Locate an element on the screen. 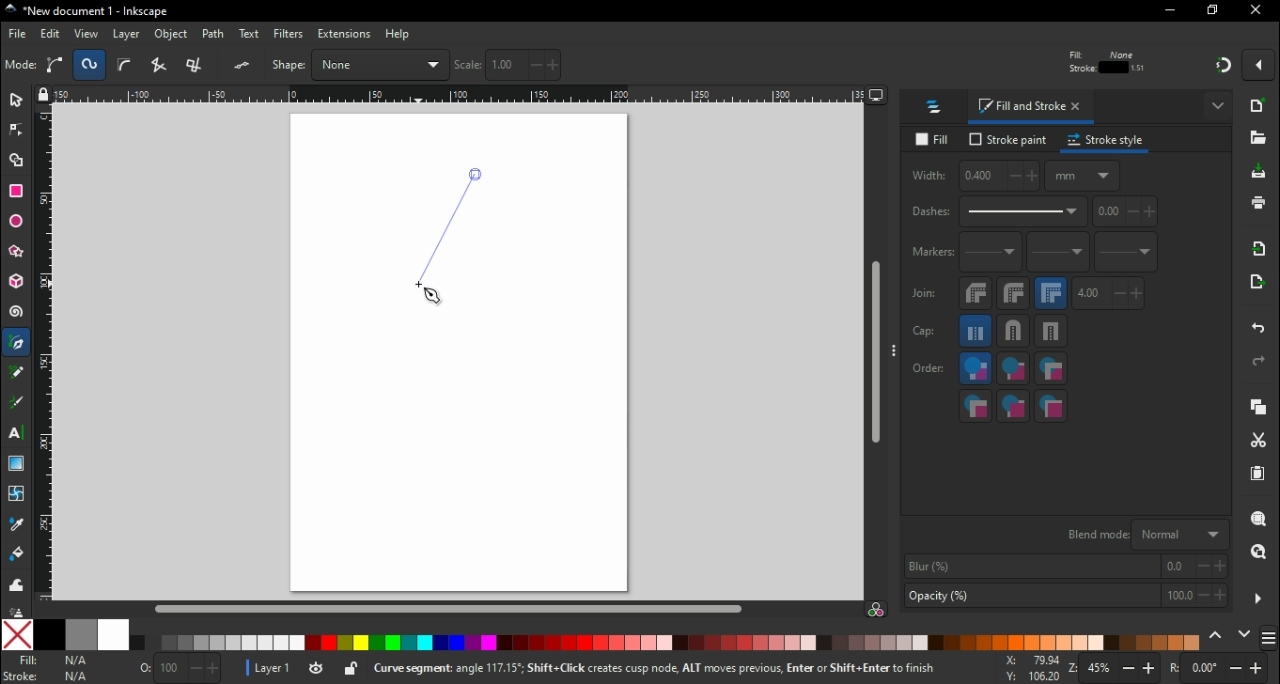  black is located at coordinates (47, 635).